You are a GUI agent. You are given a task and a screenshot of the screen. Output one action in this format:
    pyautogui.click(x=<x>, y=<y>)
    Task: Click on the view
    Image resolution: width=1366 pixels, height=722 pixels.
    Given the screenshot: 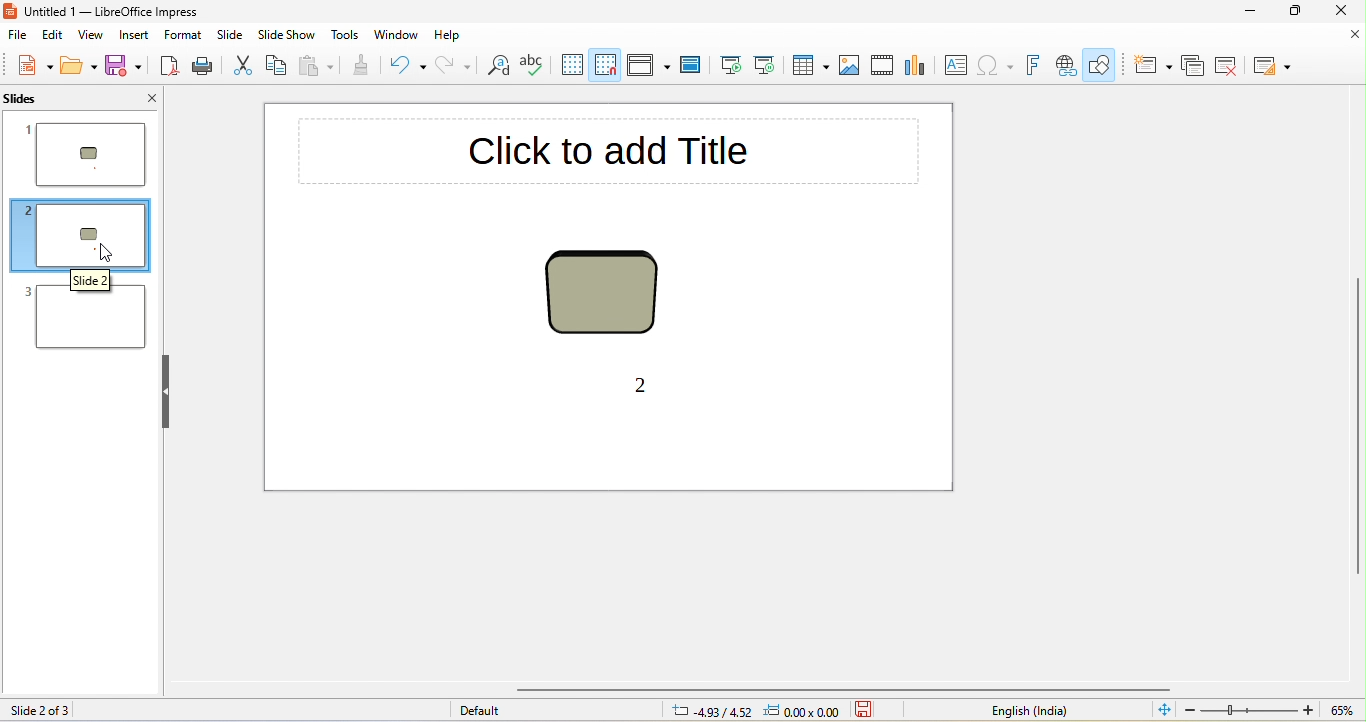 What is the action you would take?
    pyautogui.click(x=91, y=37)
    